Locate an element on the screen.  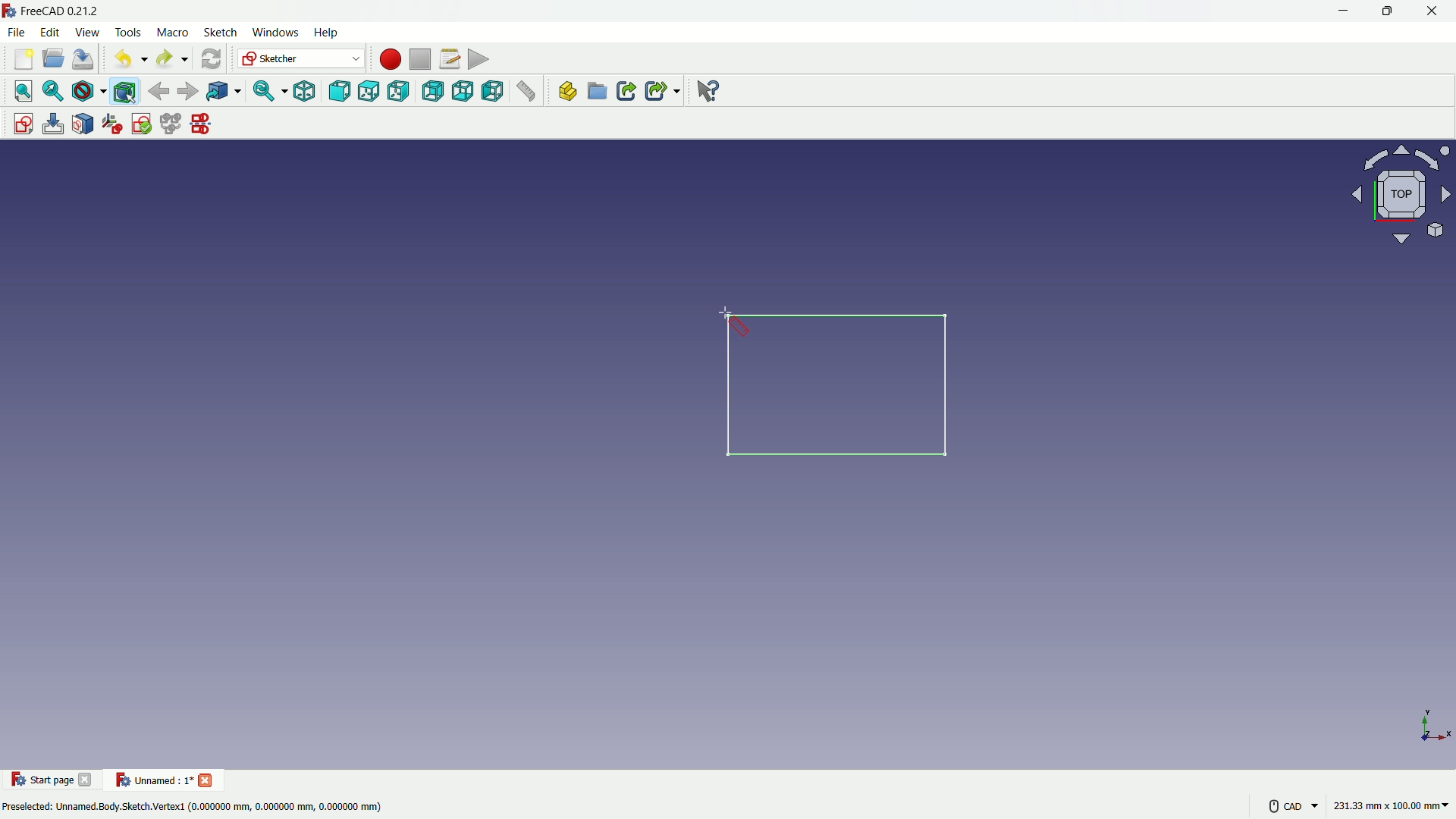
maximize or restore is located at coordinates (1389, 11).